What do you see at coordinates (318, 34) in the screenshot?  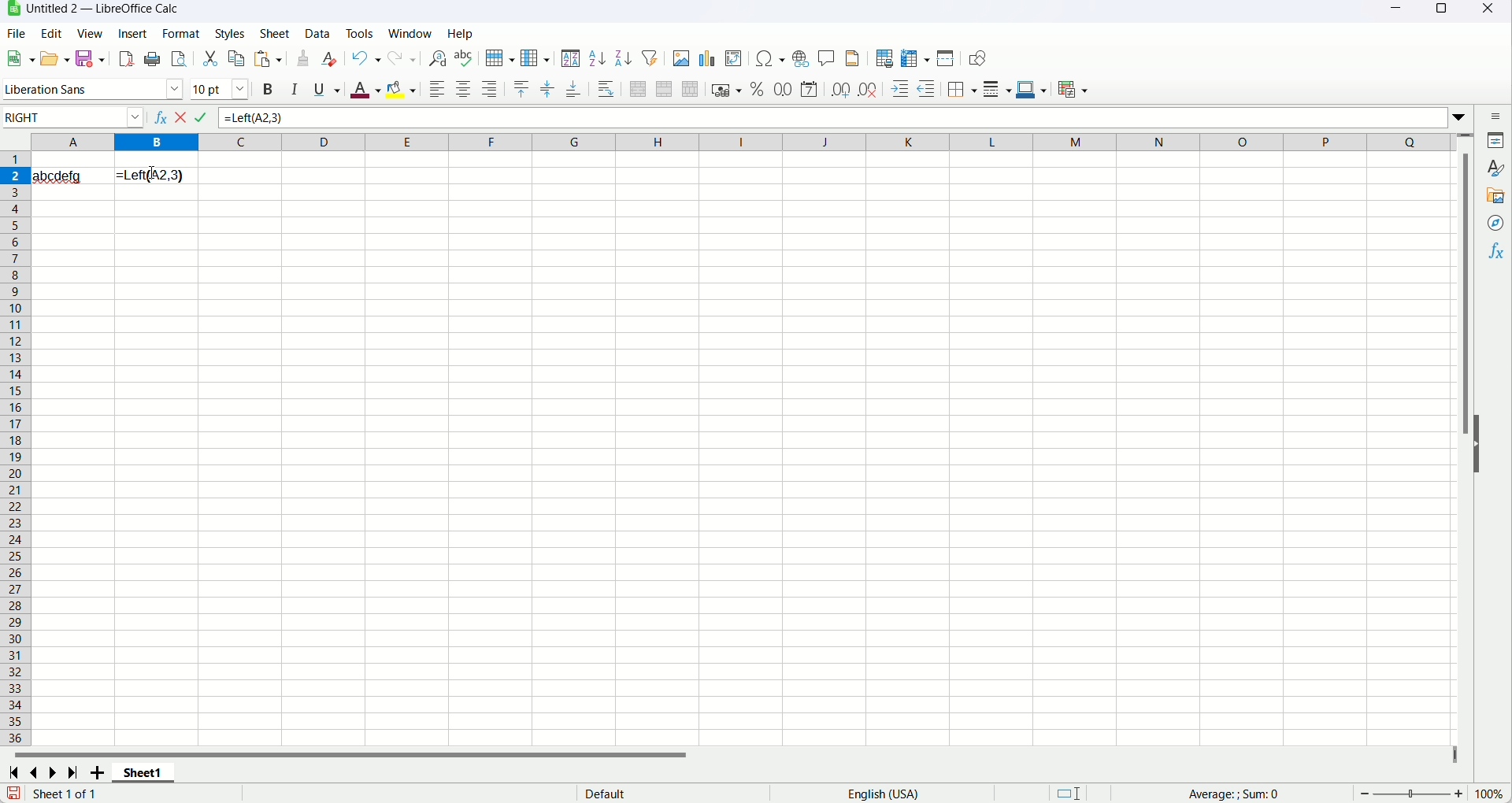 I see `data` at bounding box center [318, 34].